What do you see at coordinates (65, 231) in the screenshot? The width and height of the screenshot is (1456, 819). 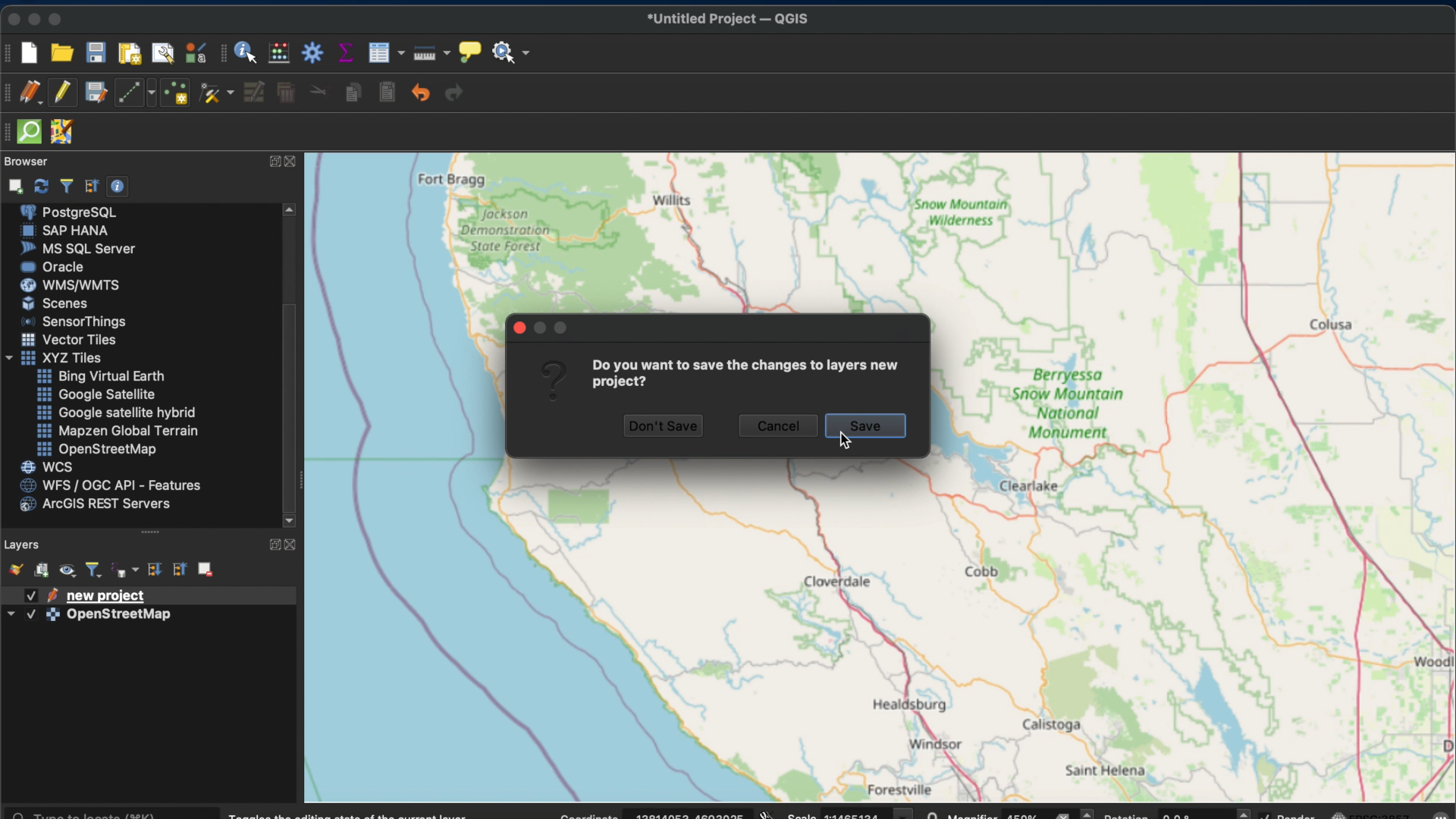 I see `sap hana` at bounding box center [65, 231].